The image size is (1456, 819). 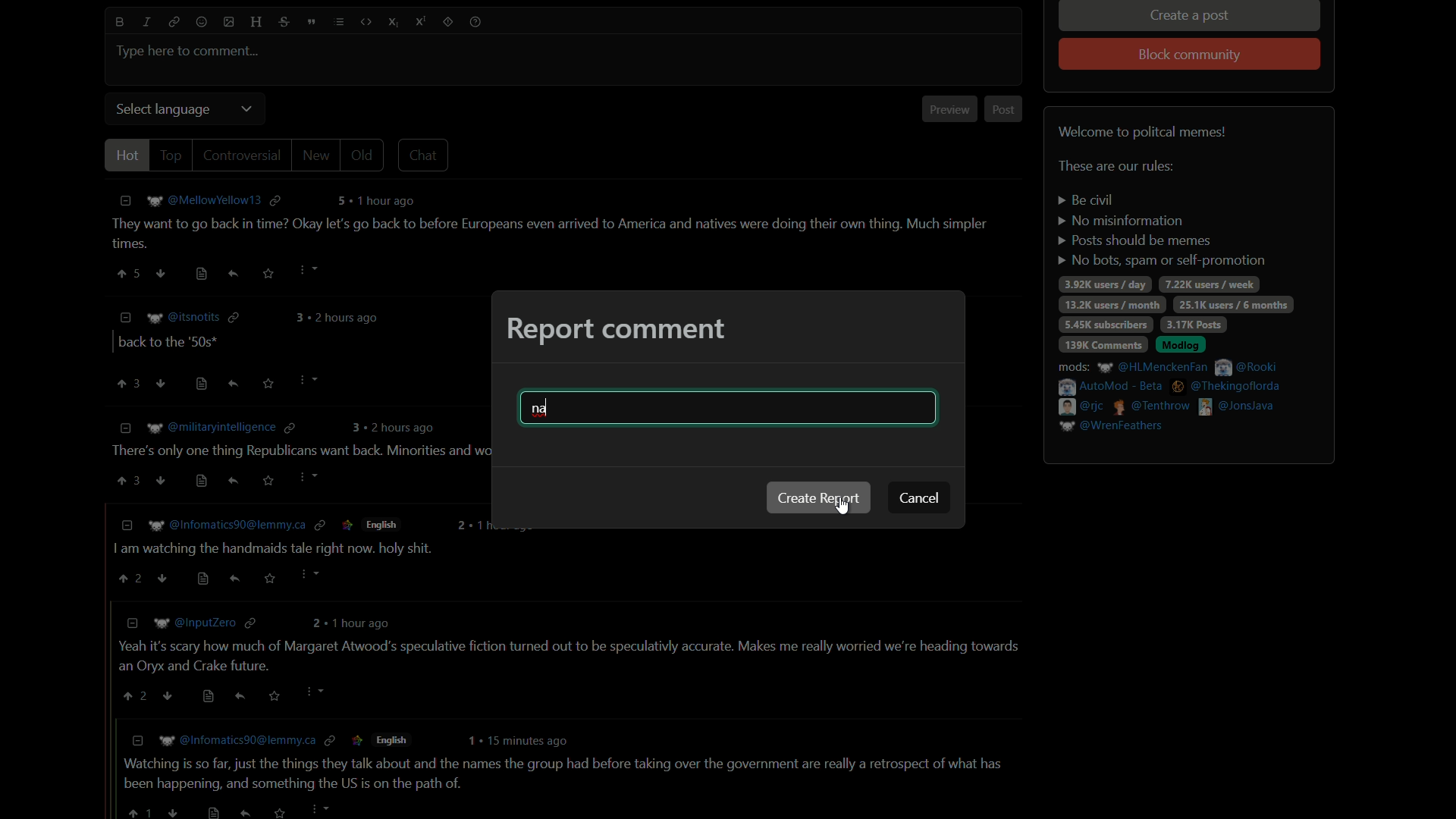 I want to click on superscript, so click(x=420, y=22).